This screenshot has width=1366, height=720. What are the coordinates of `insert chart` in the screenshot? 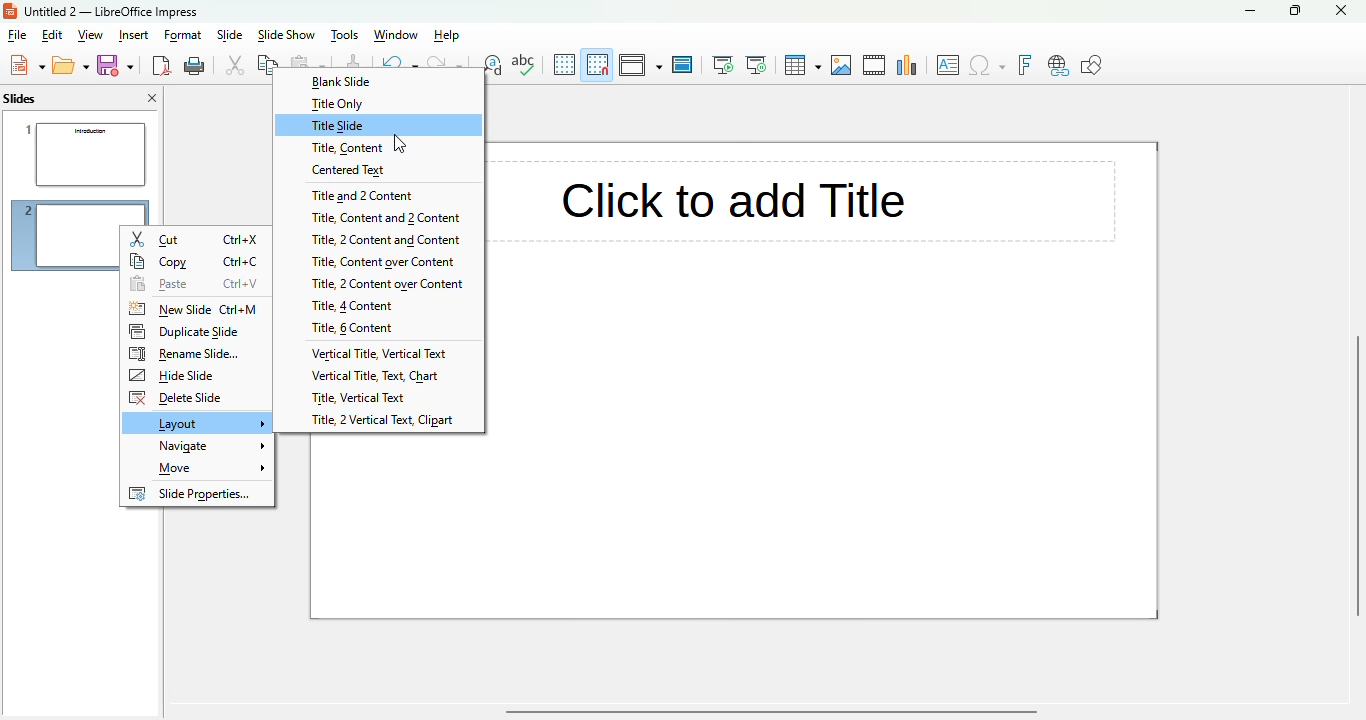 It's located at (908, 65).